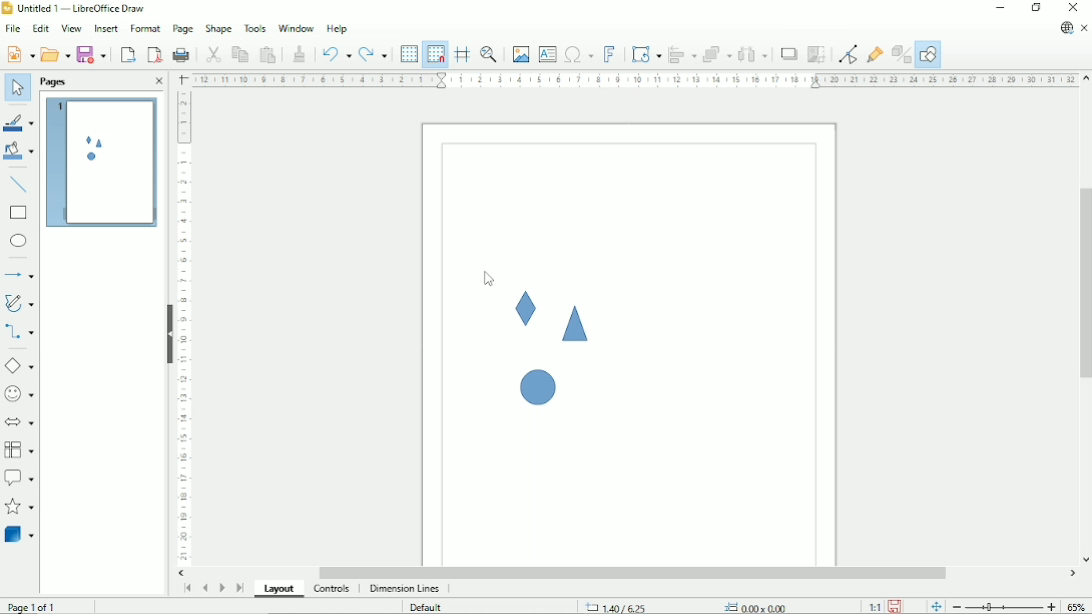 The height and width of the screenshot is (614, 1092). I want to click on Insert line, so click(19, 184).